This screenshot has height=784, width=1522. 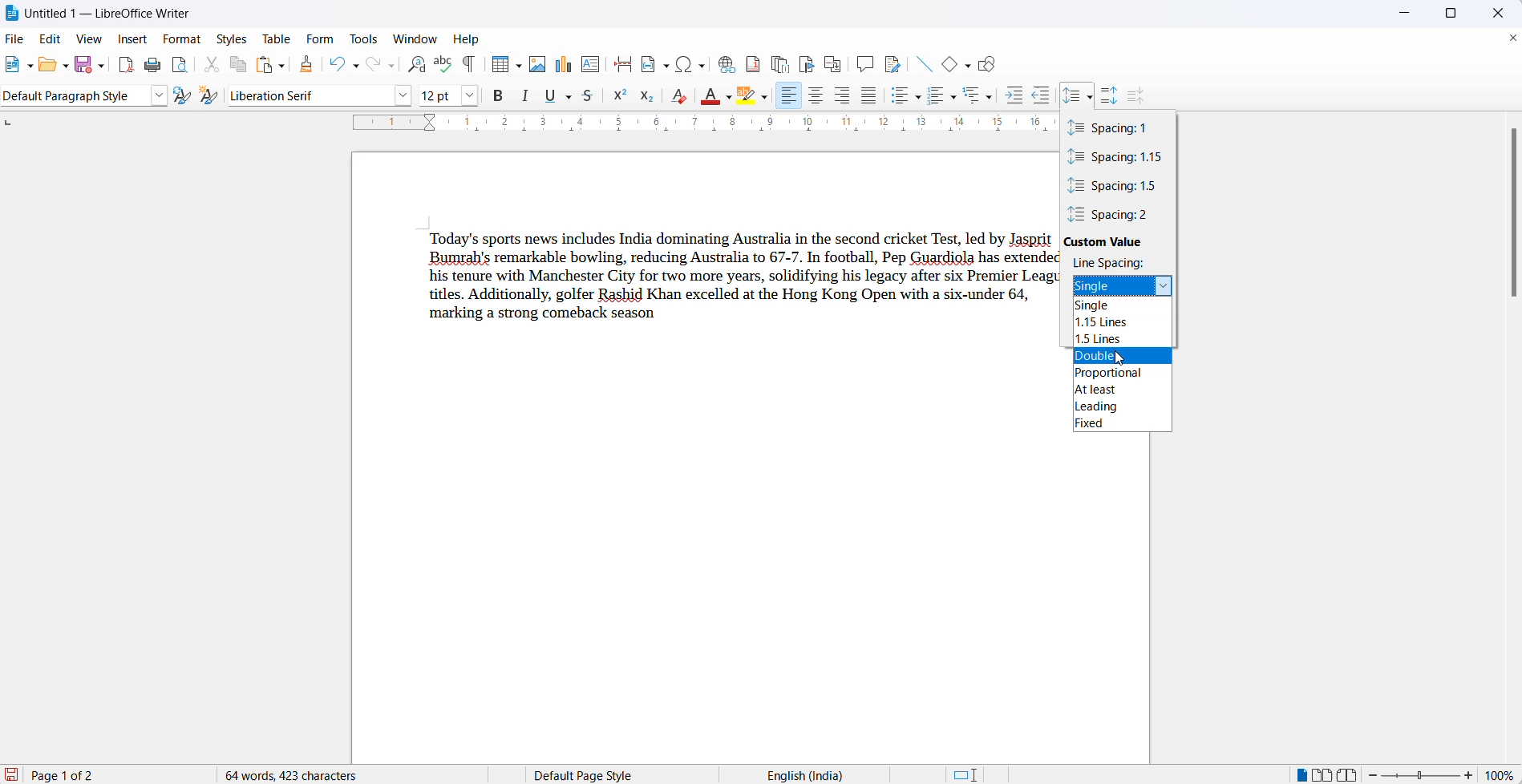 I want to click on set line spacing icon, so click(x=1071, y=94).